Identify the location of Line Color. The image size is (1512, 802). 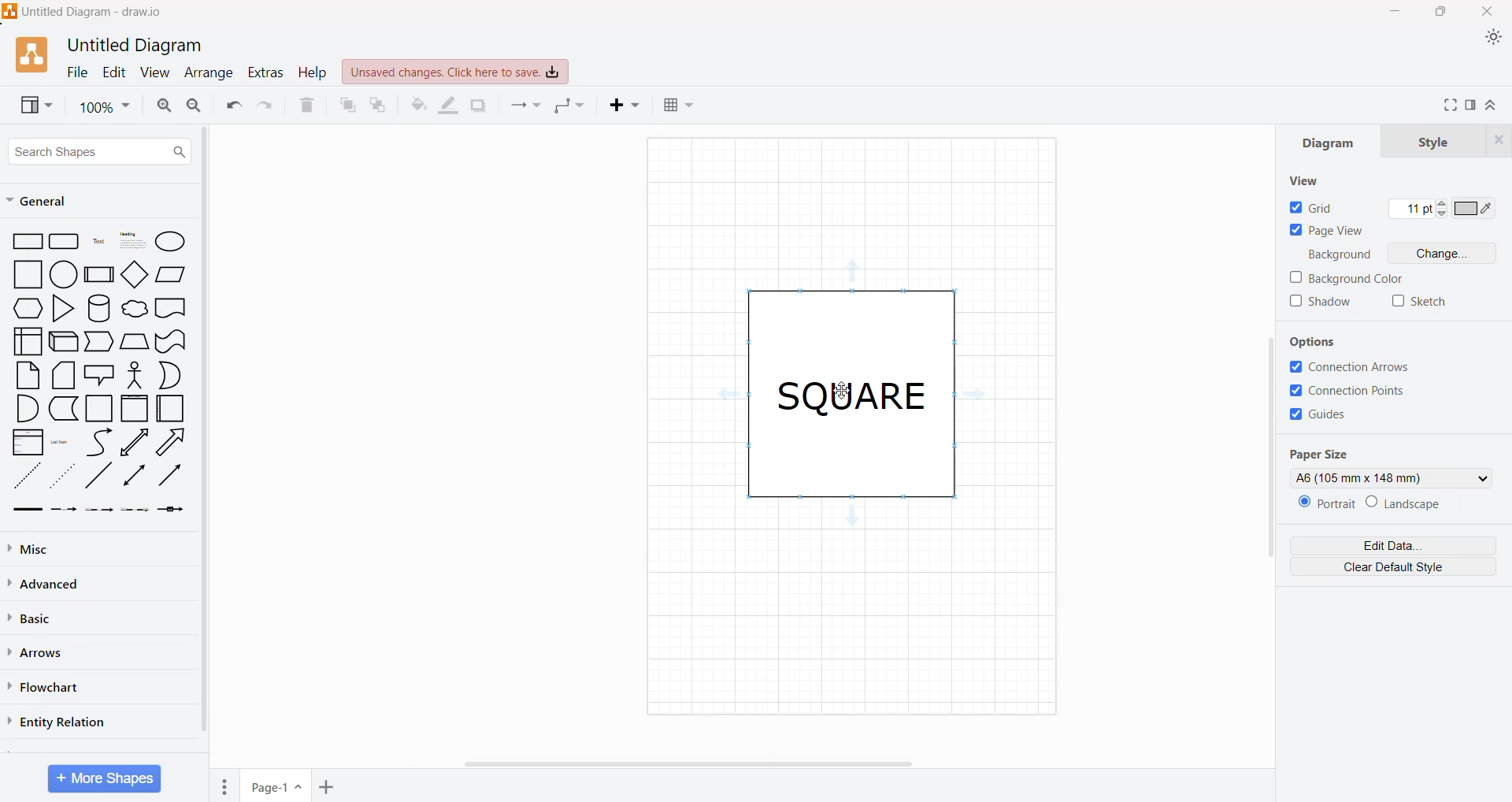
(447, 106).